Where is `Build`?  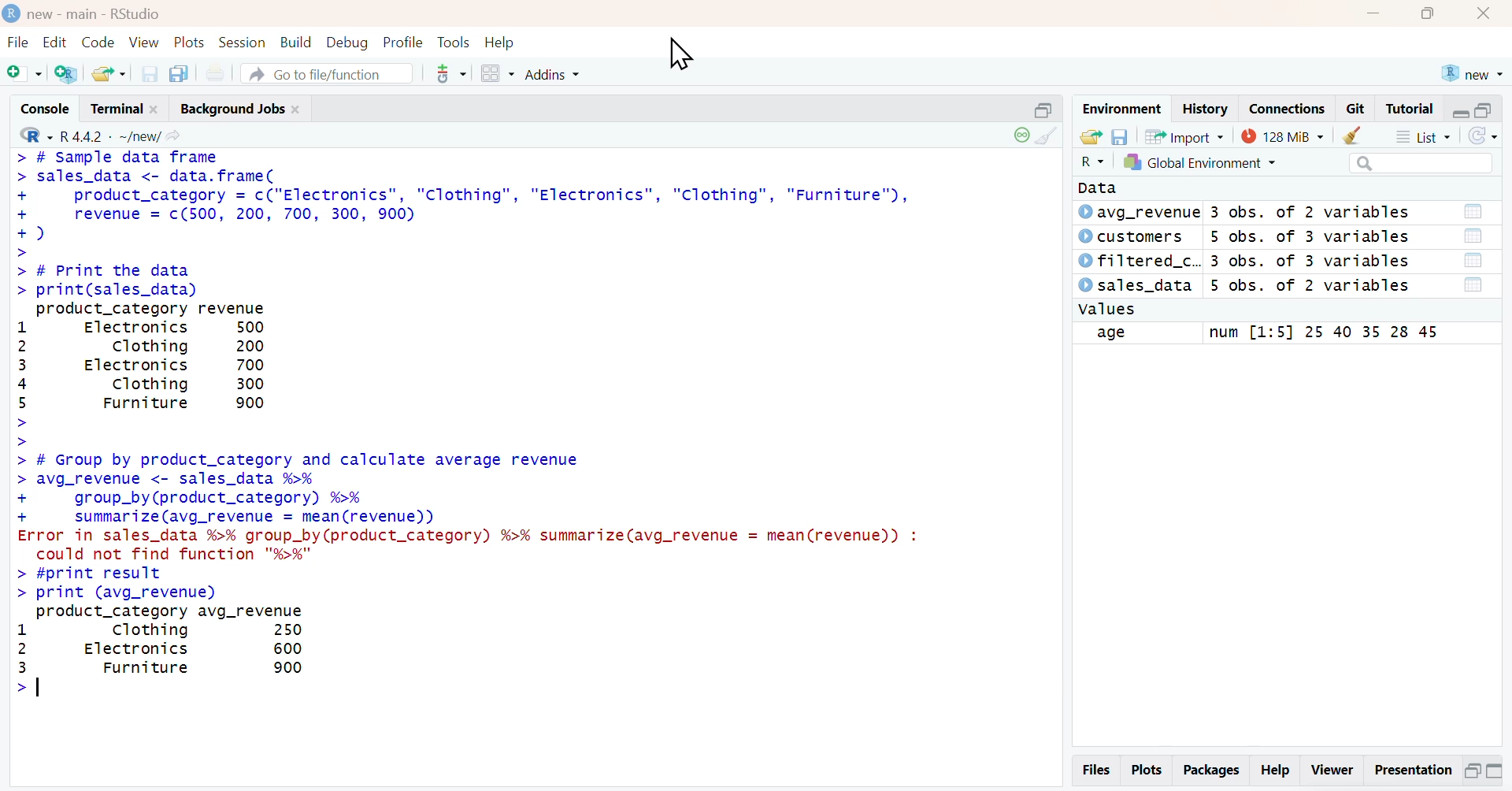
Build is located at coordinates (298, 43).